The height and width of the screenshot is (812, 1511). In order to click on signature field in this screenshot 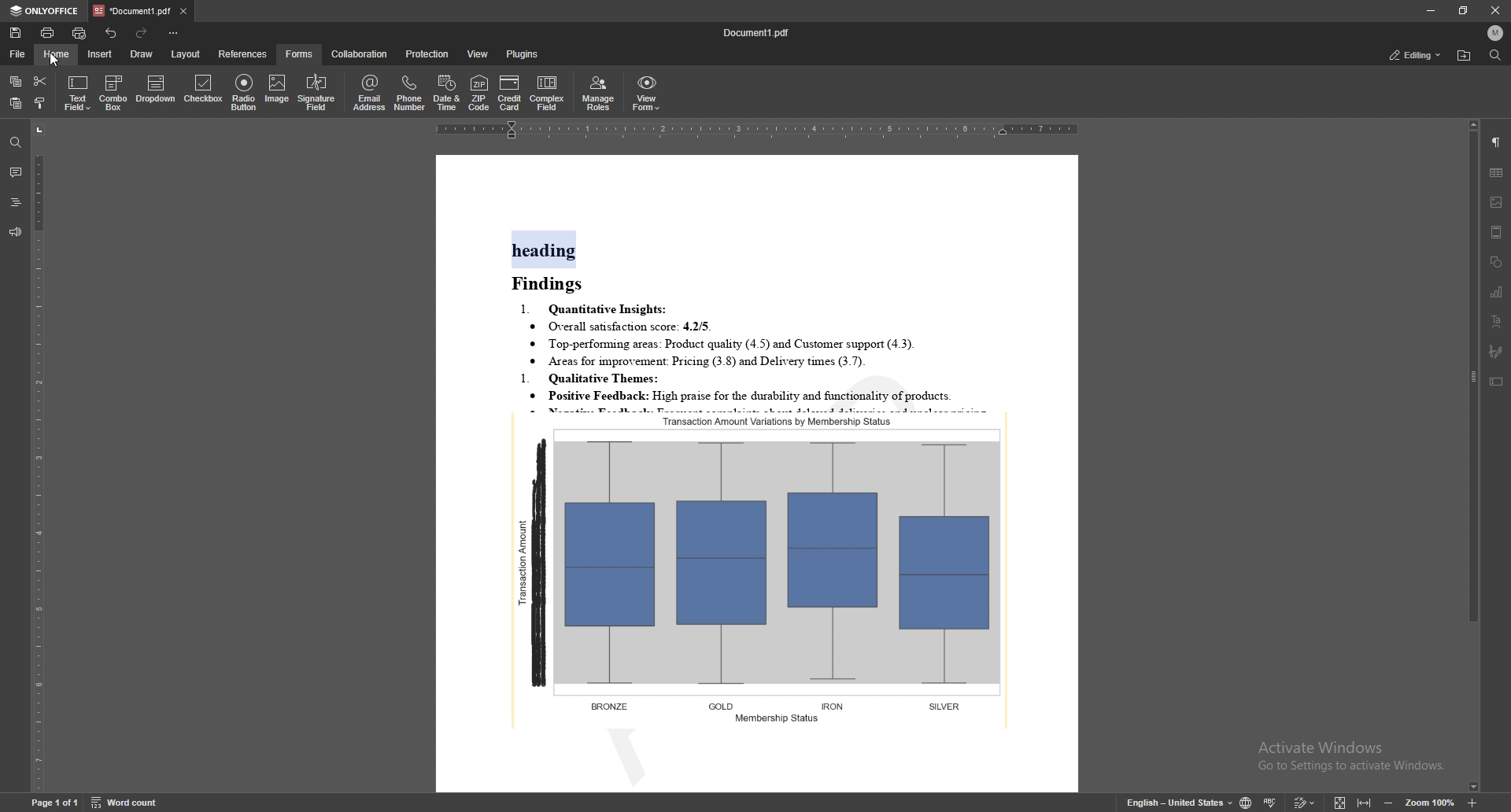, I will do `click(317, 92)`.